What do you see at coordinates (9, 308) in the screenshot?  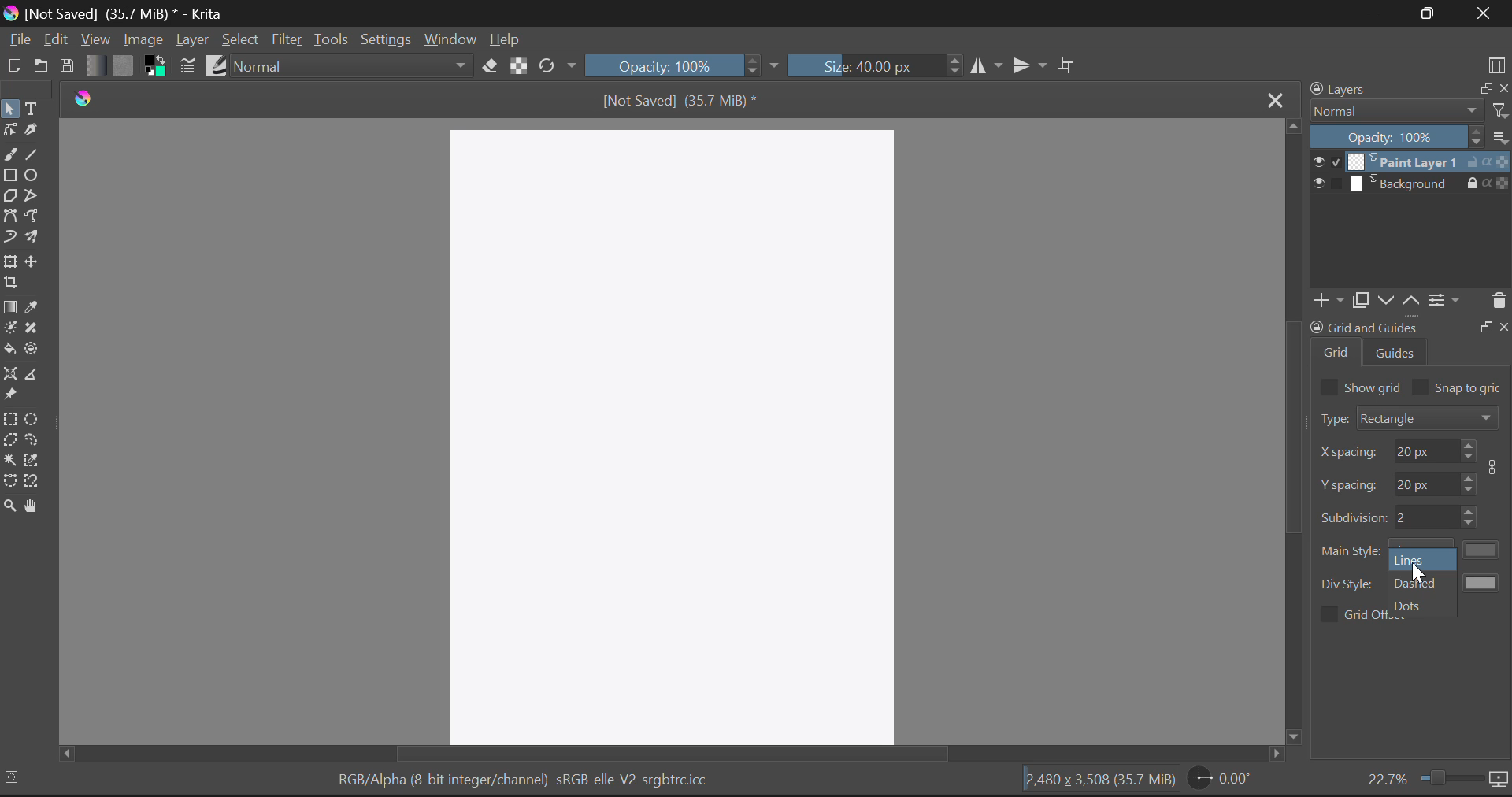 I see `Gradient Fill` at bounding box center [9, 308].